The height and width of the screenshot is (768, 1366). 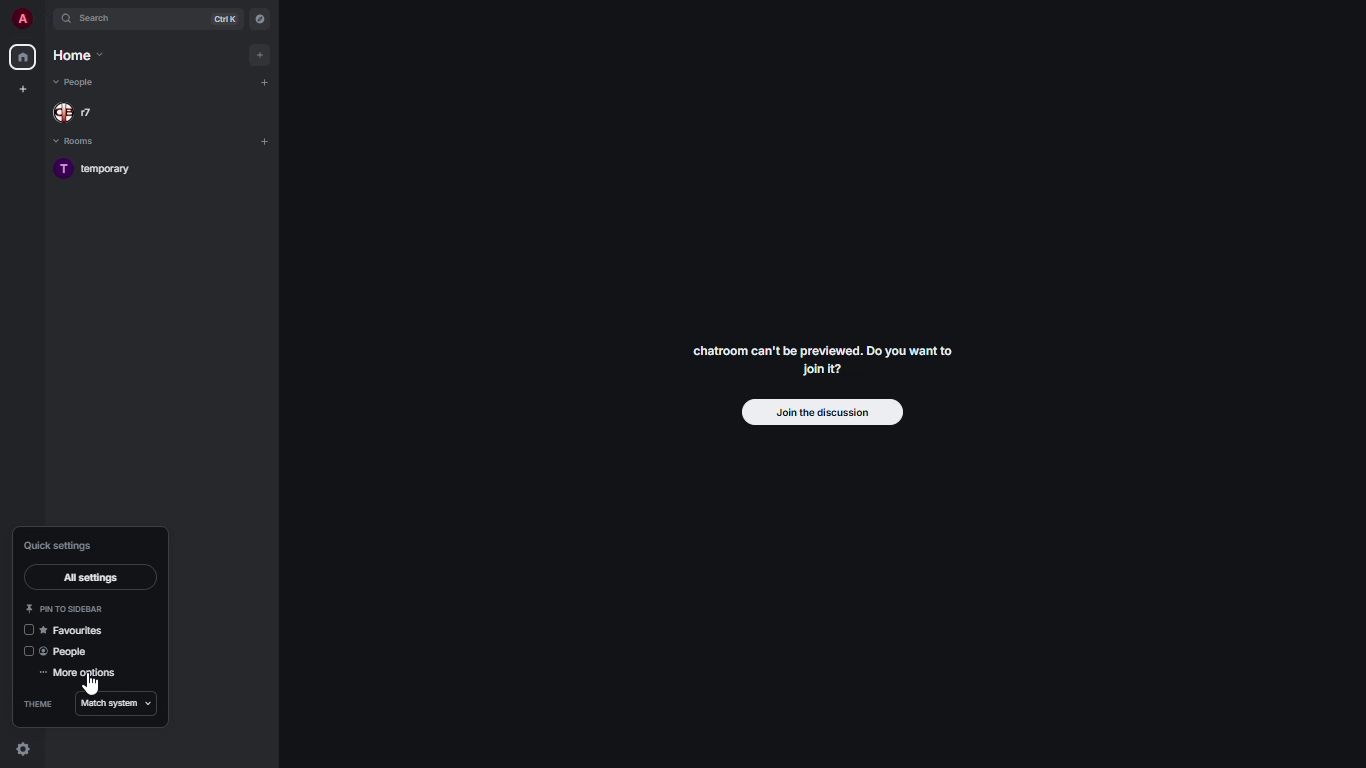 What do you see at coordinates (266, 81) in the screenshot?
I see `add` at bounding box center [266, 81].